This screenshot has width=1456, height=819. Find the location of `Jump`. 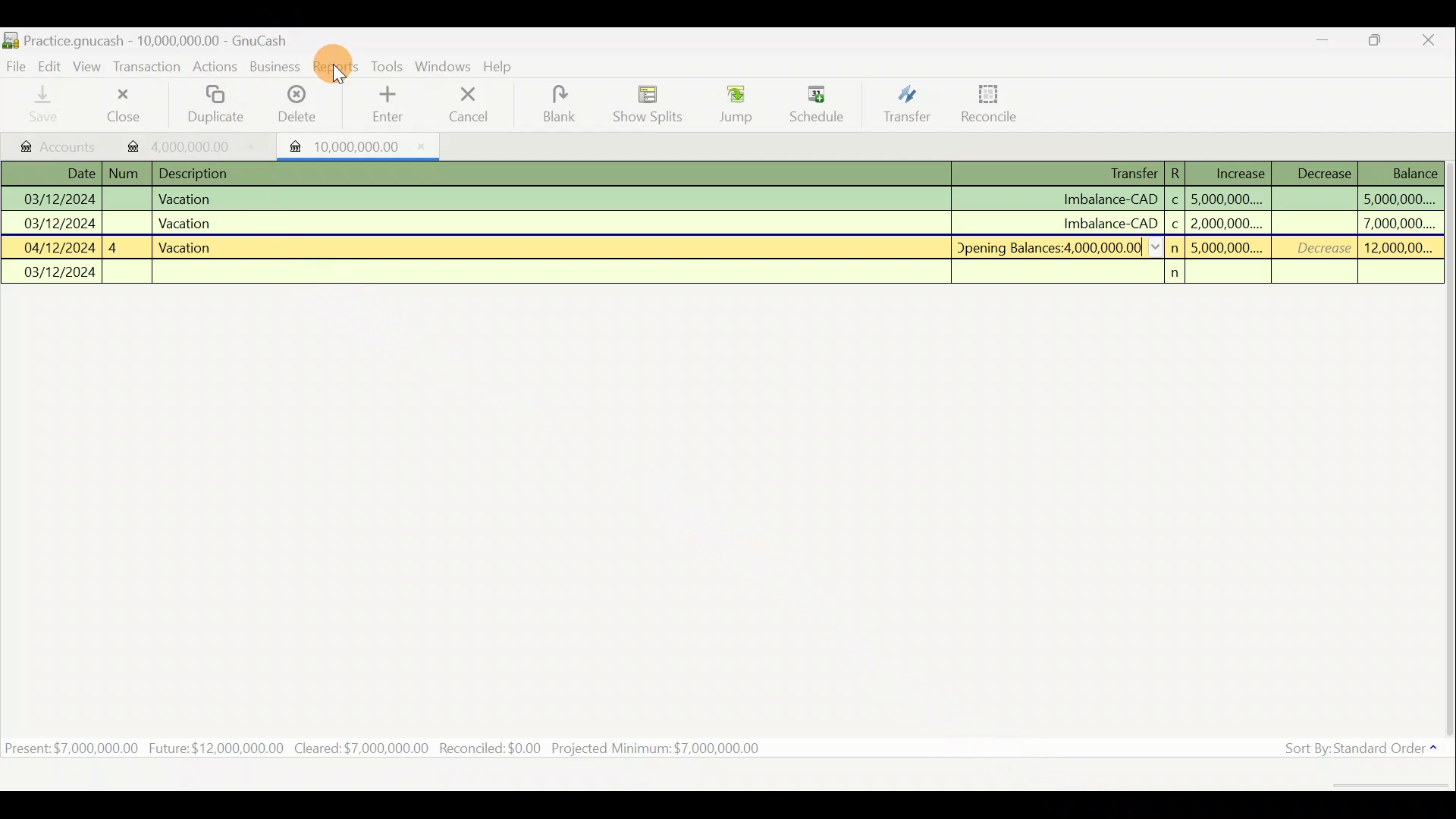

Jump is located at coordinates (736, 101).